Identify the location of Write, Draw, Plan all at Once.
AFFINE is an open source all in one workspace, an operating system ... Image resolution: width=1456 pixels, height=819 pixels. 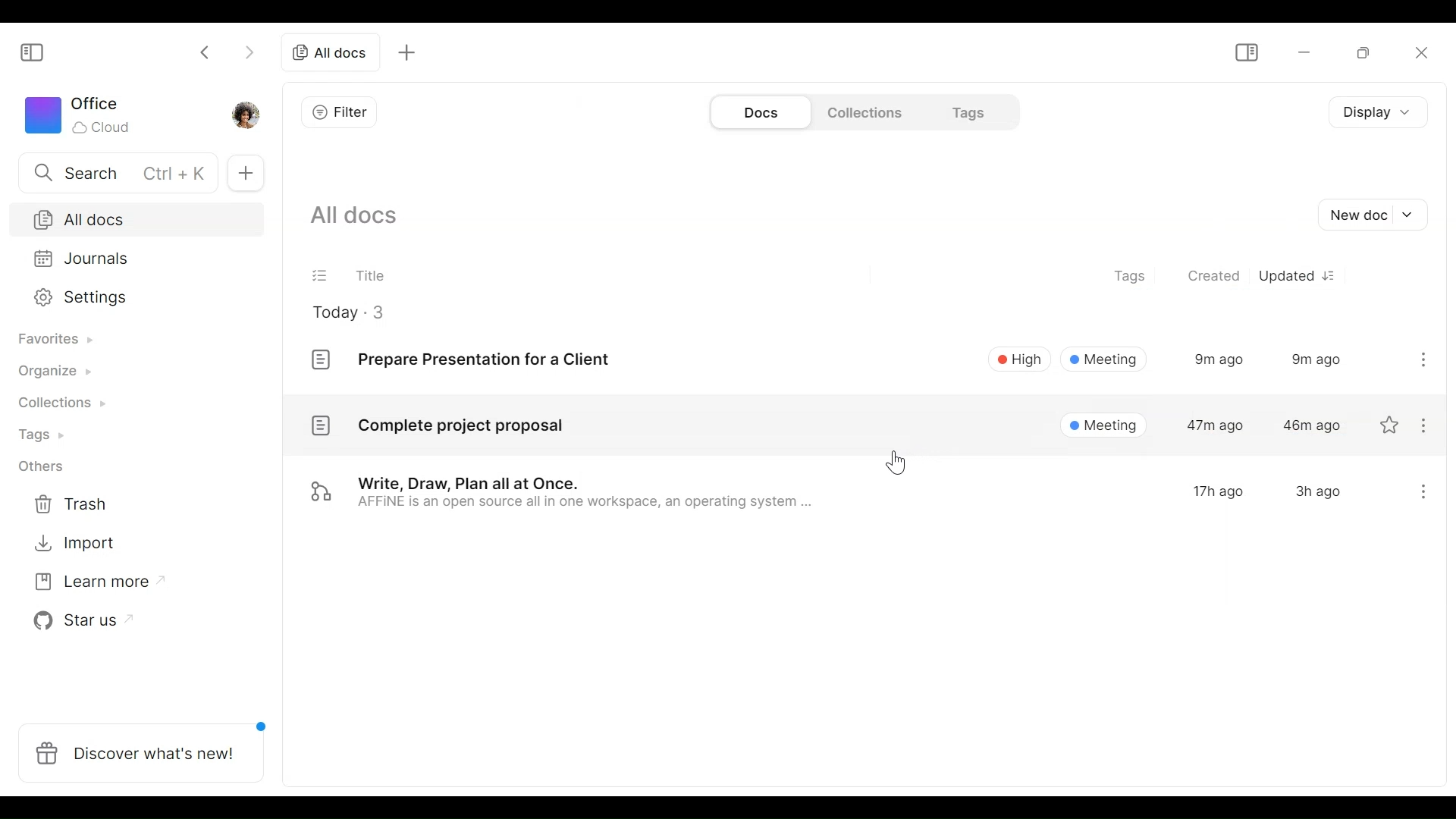
(560, 497).